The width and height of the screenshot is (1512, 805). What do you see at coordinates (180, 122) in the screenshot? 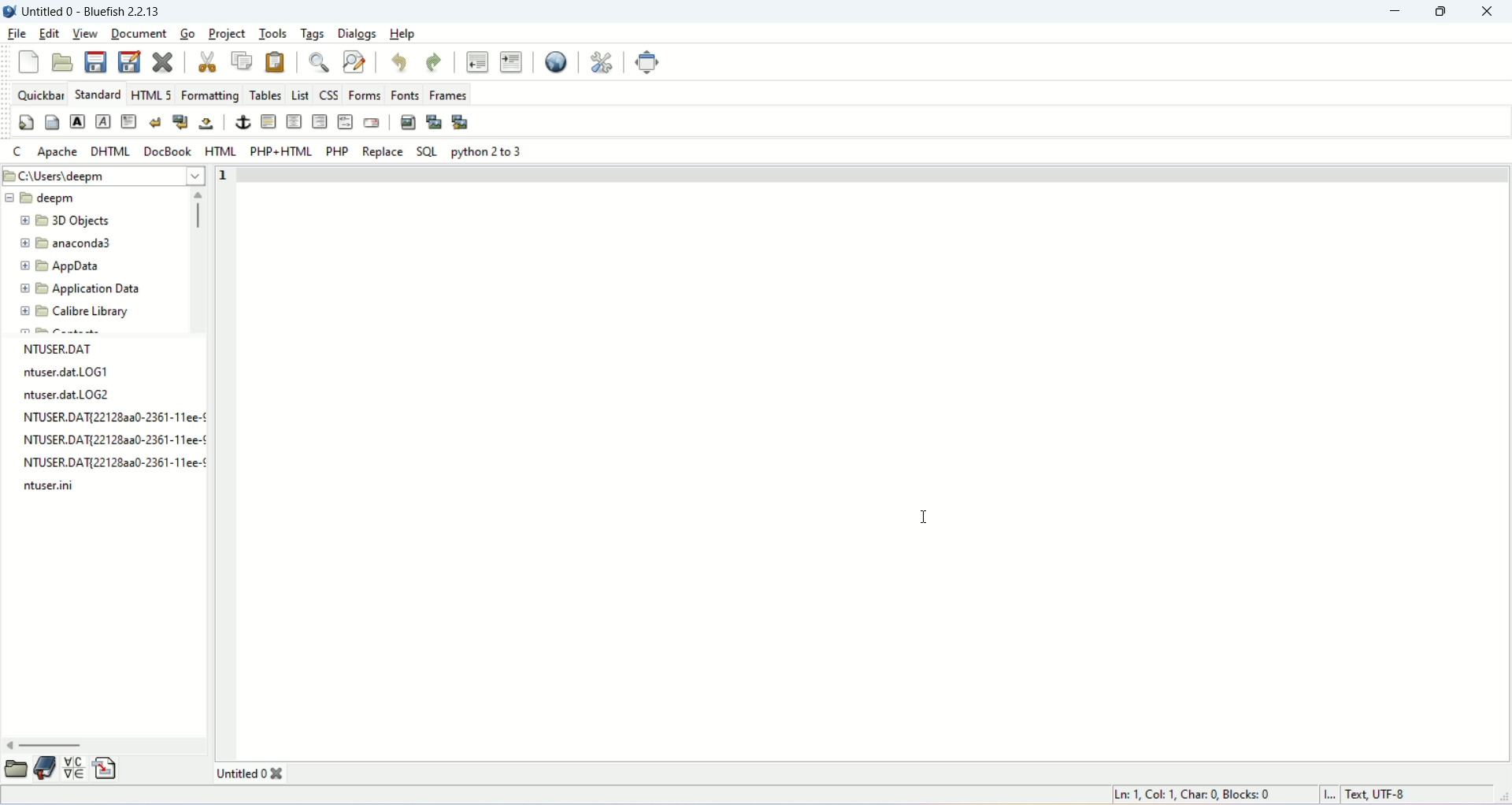
I see `break and clear` at bounding box center [180, 122].